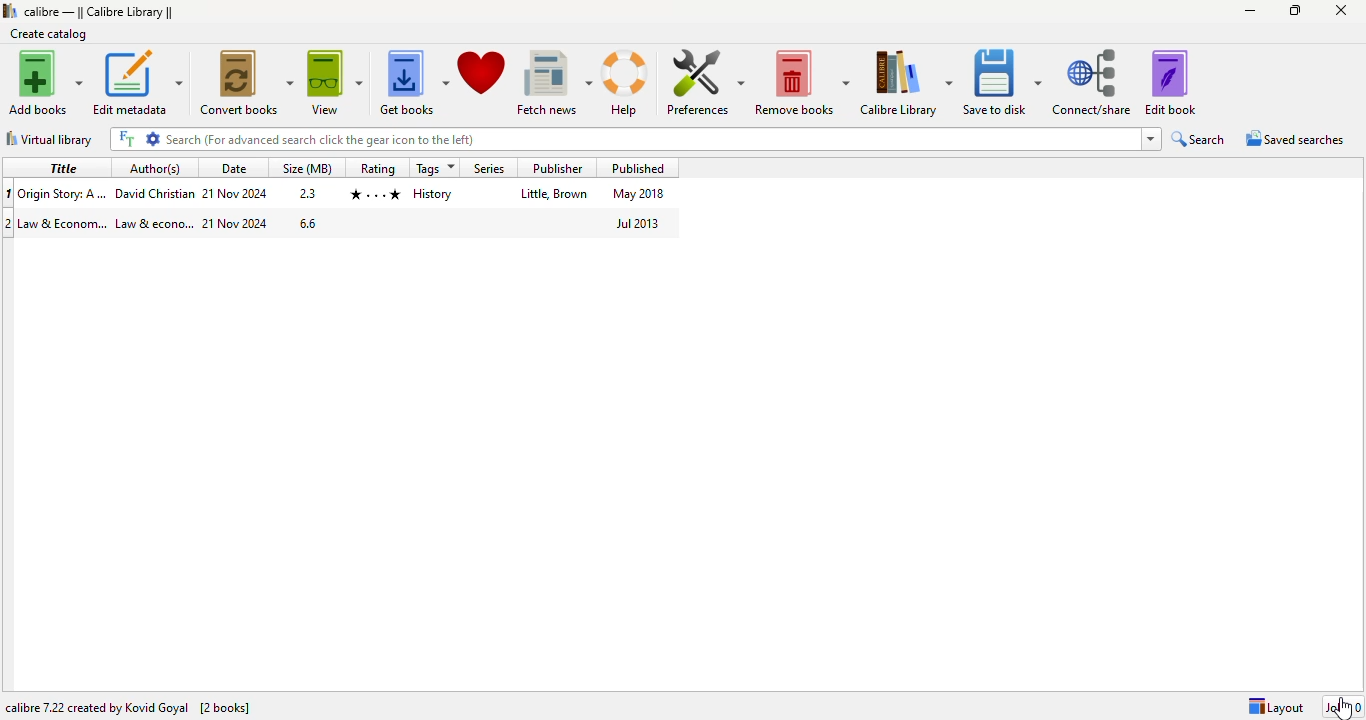  Describe the element at coordinates (306, 194) in the screenshot. I see `size in mbs` at that location.